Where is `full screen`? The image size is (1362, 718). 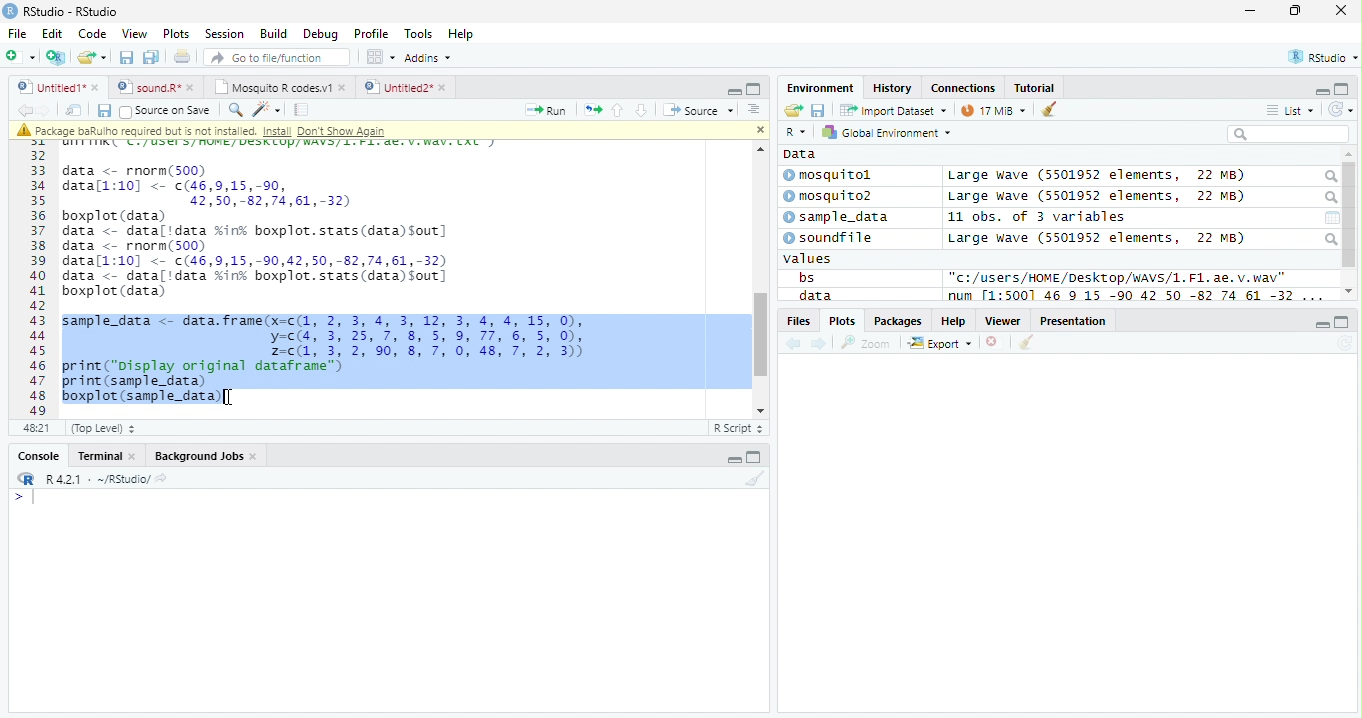
full screen is located at coordinates (754, 456).